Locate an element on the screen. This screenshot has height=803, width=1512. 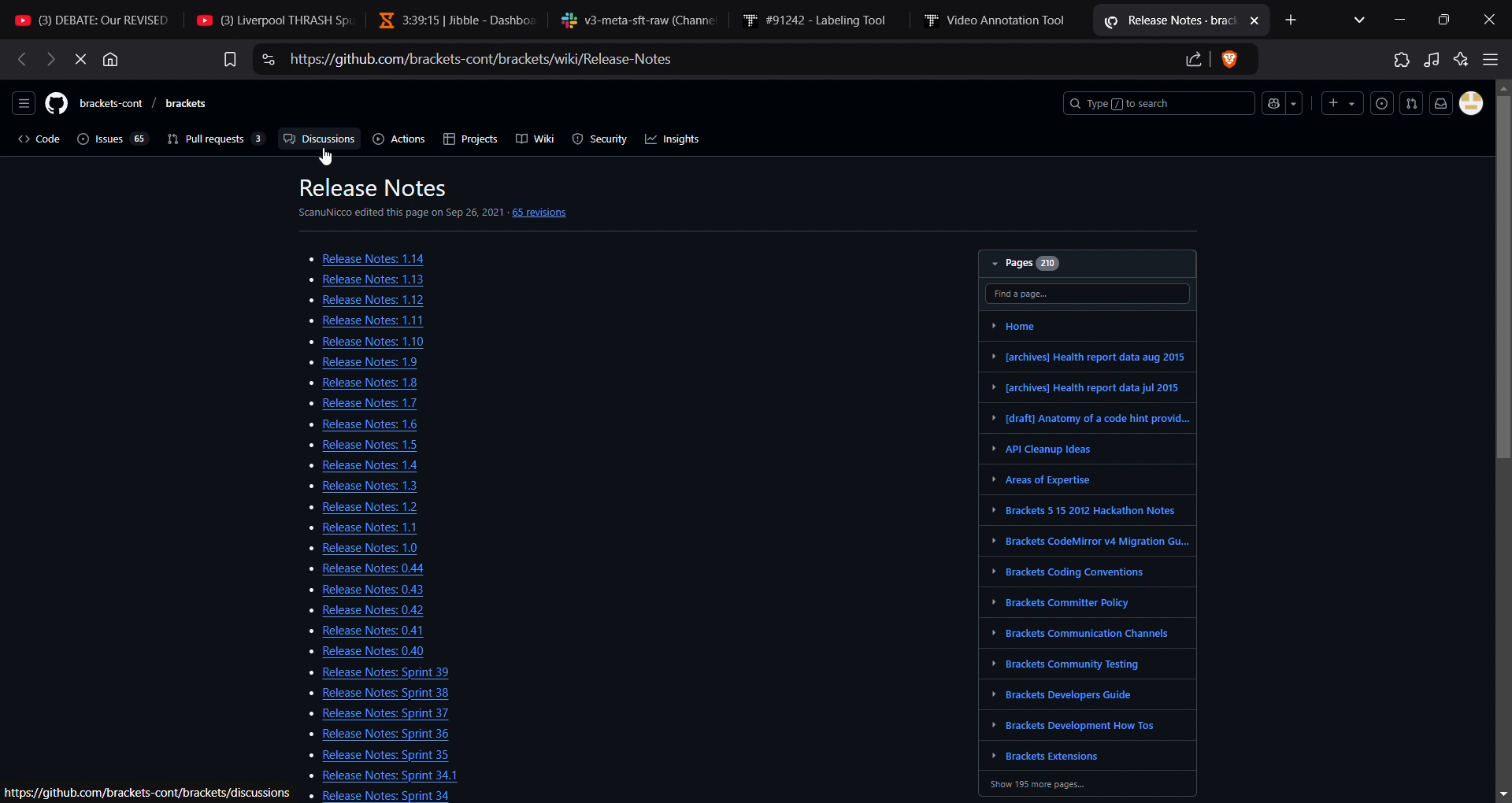
|» Brackets Development How Tos is located at coordinates (1076, 727).